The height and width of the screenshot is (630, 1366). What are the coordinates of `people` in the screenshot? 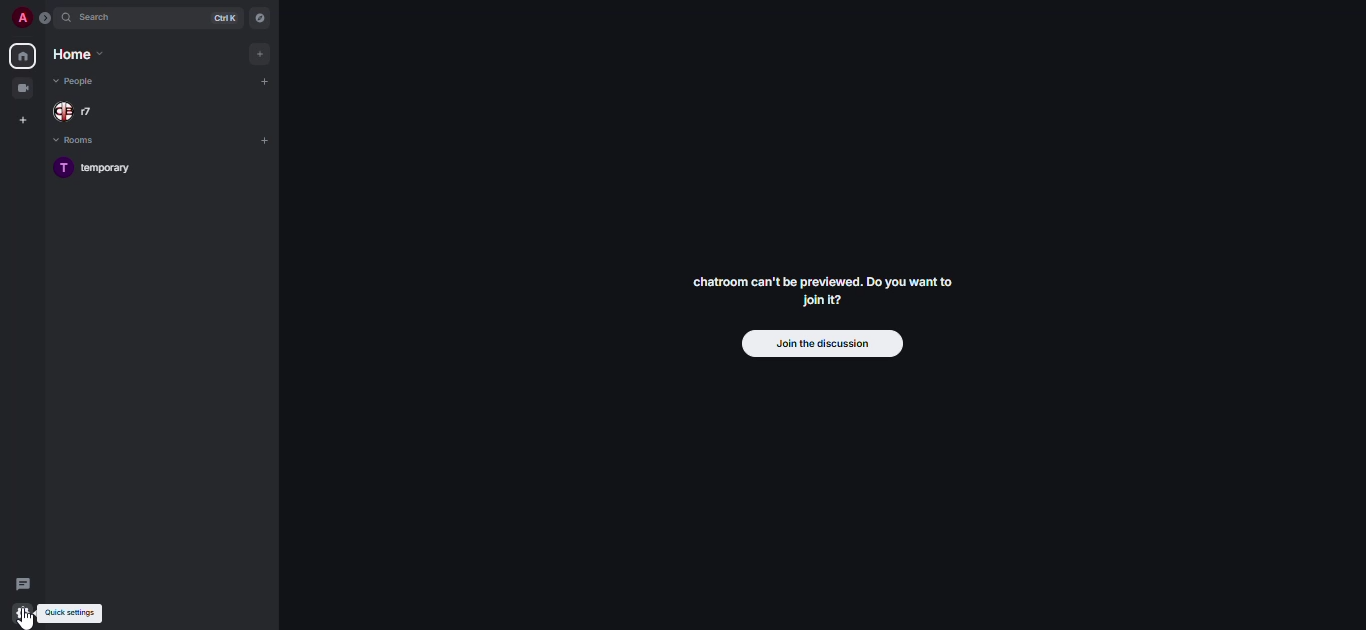 It's located at (80, 81).